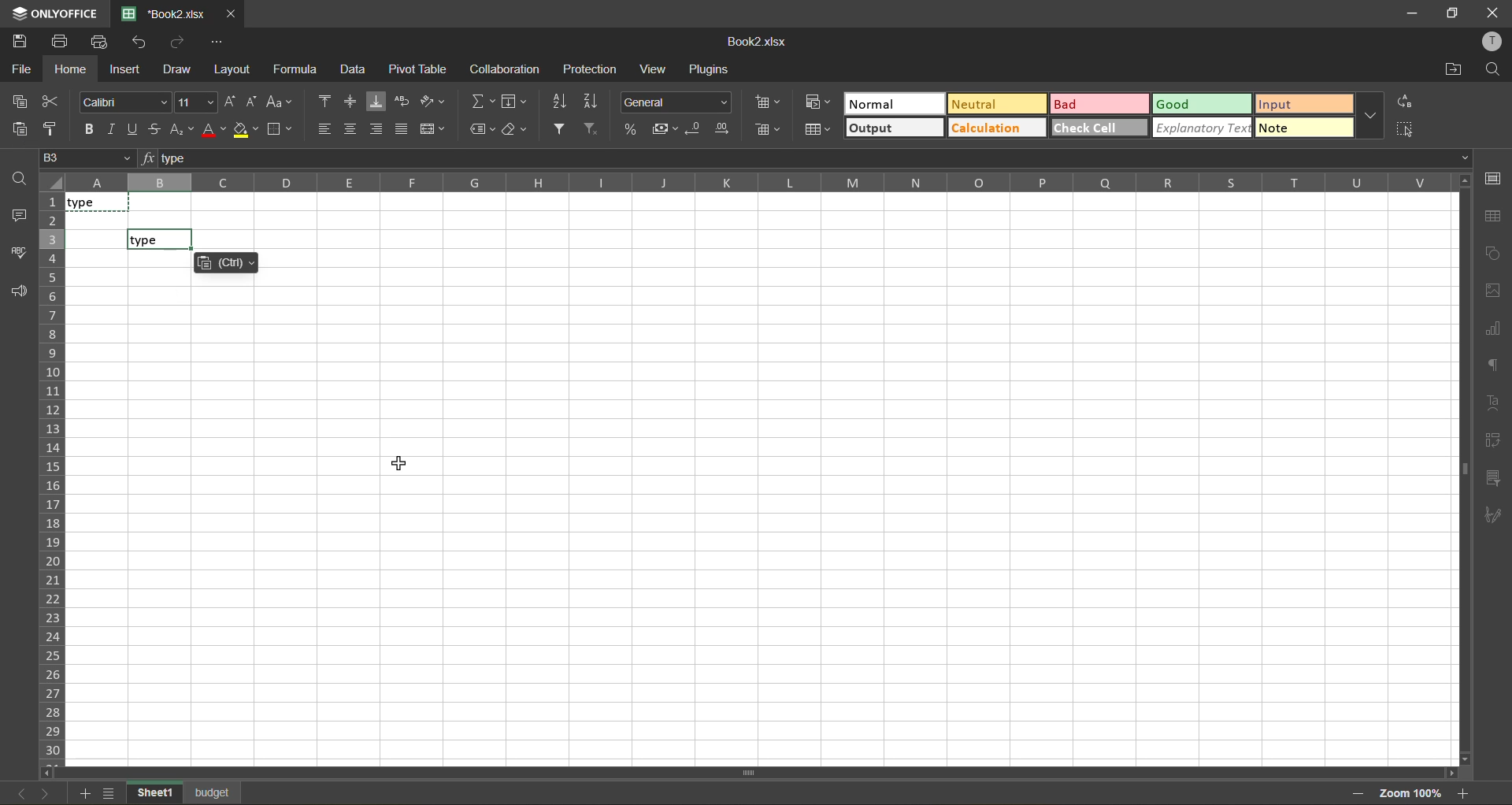 This screenshot has height=805, width=1512. What do you see at coordinates (217, 44) in the screenshot?
I see `customize quick access toolbar` at bounding box center [217, 44].